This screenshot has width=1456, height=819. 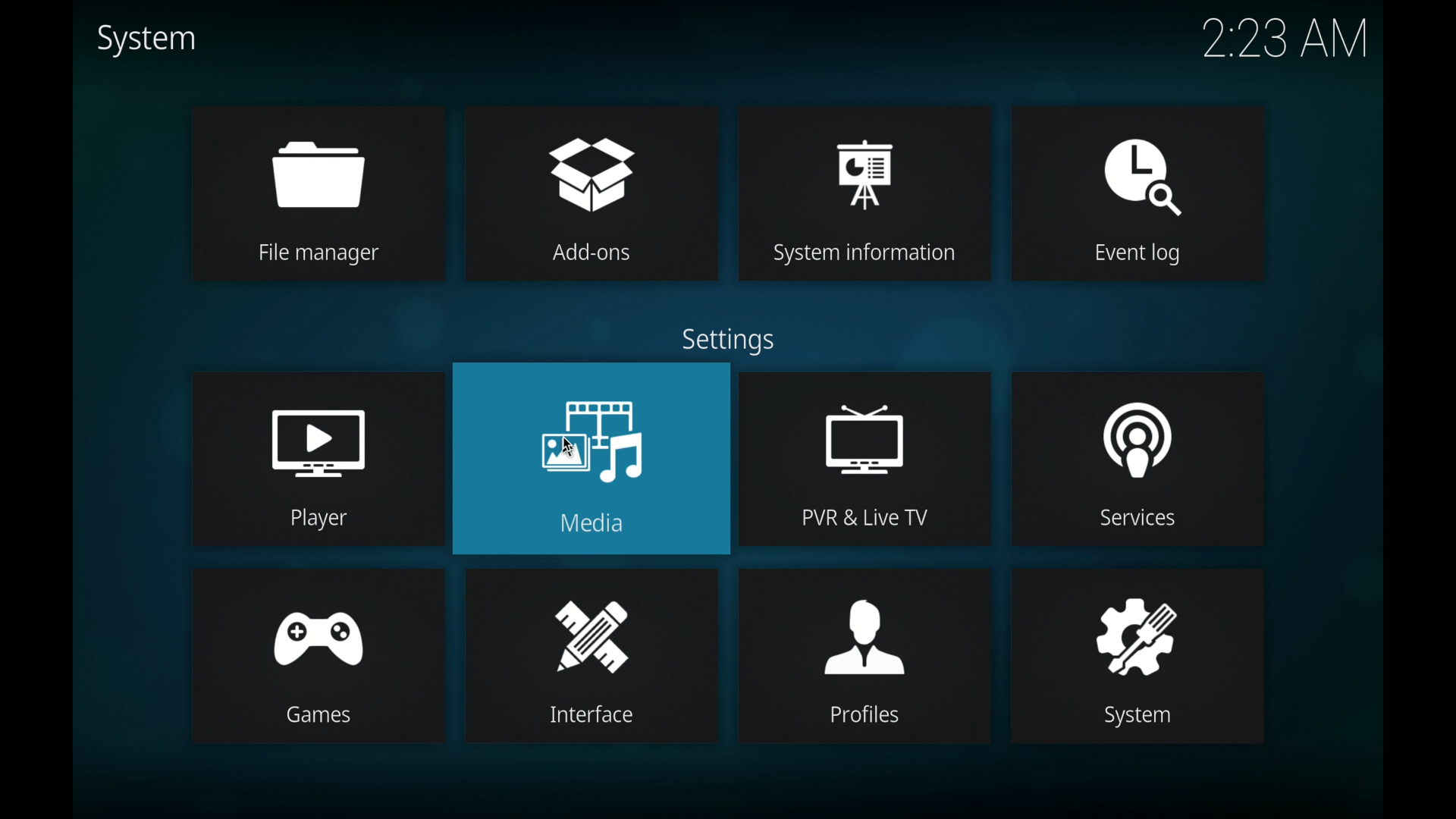 What do you see at coordinates (324, 625) in the screenshot?
I see `games` at bounding box center [324, 625].